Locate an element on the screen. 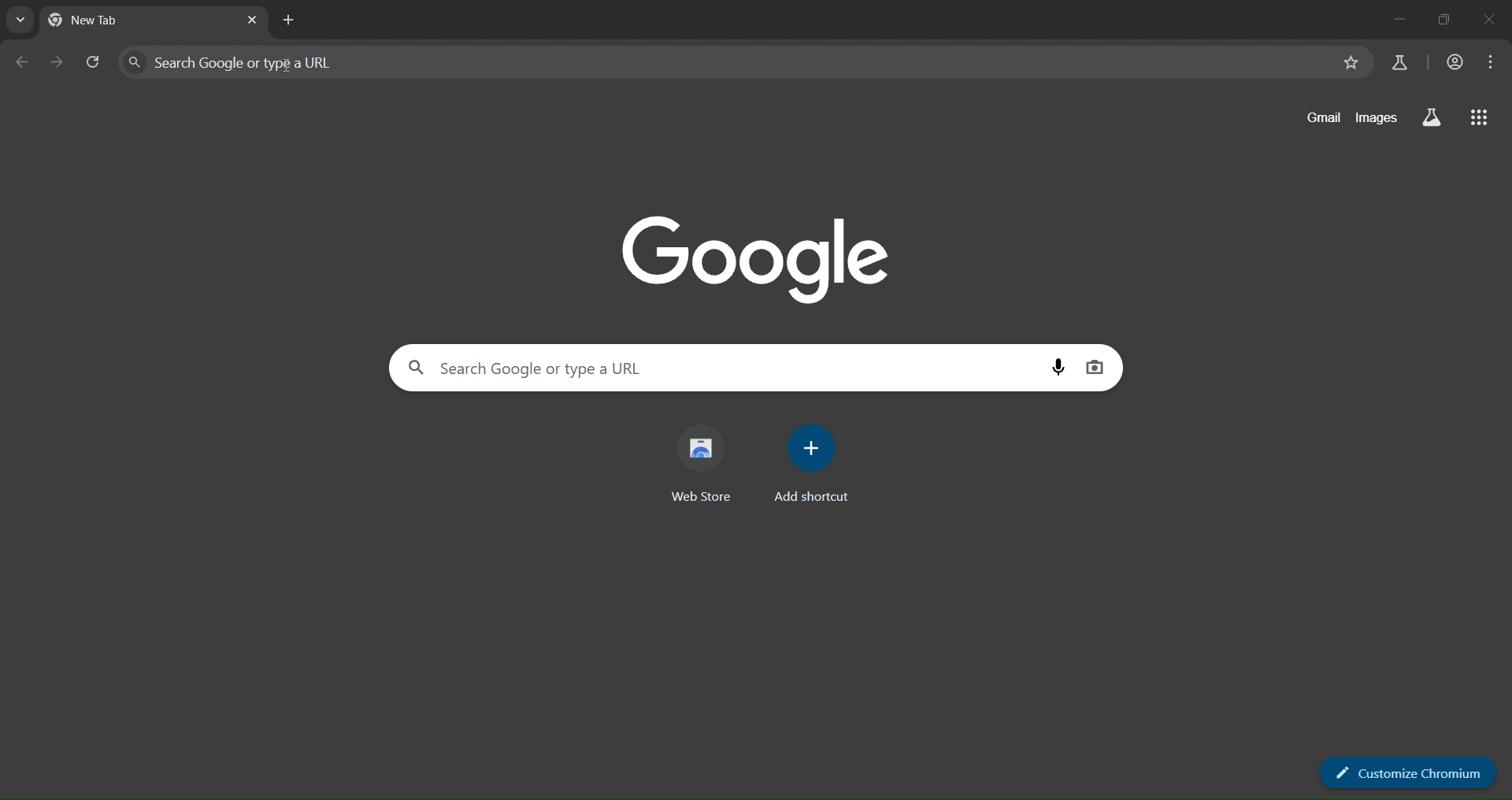  Google is located at coordinates (762, 260).